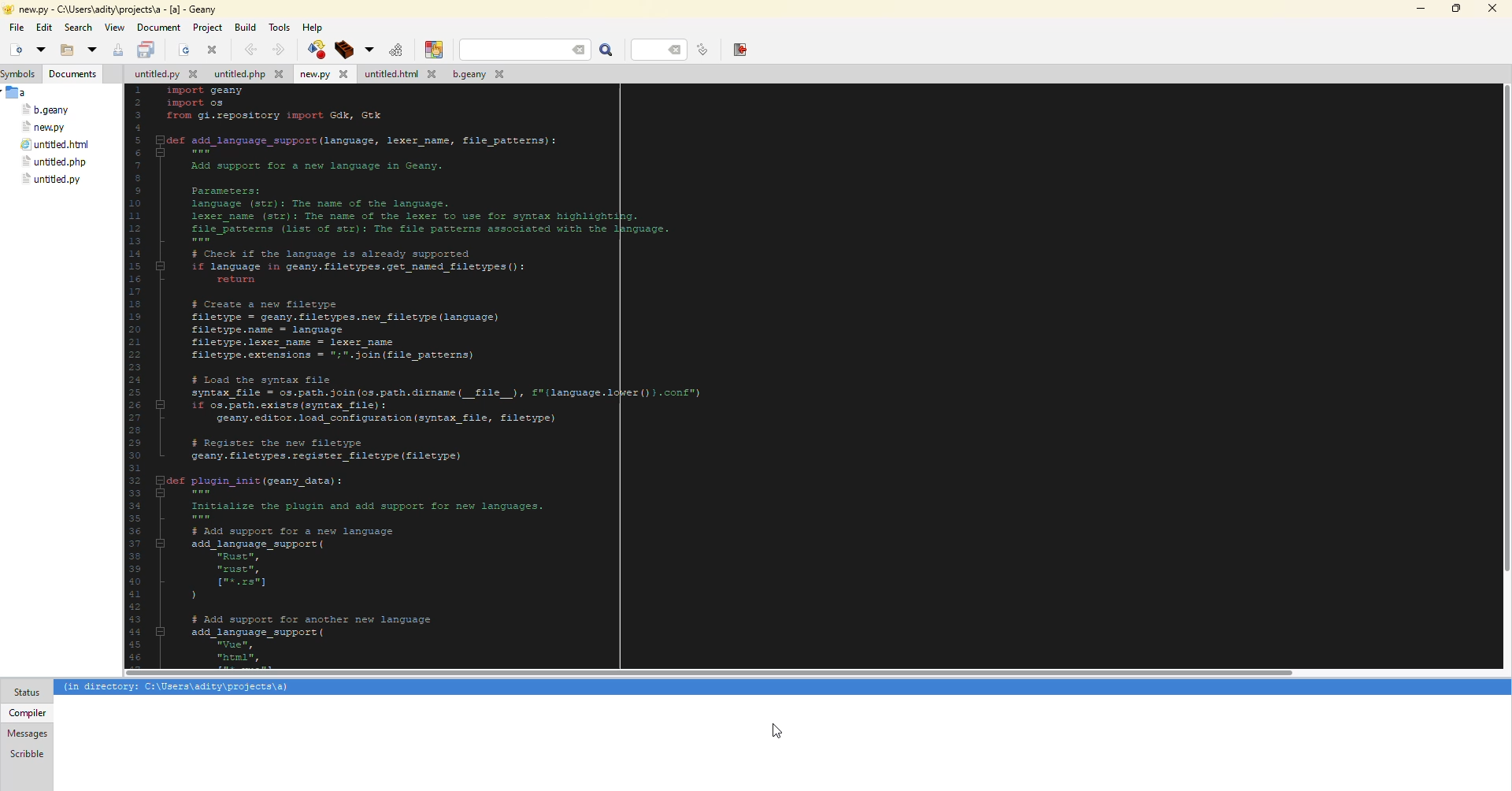  I want to click on a, so click(16, 92).